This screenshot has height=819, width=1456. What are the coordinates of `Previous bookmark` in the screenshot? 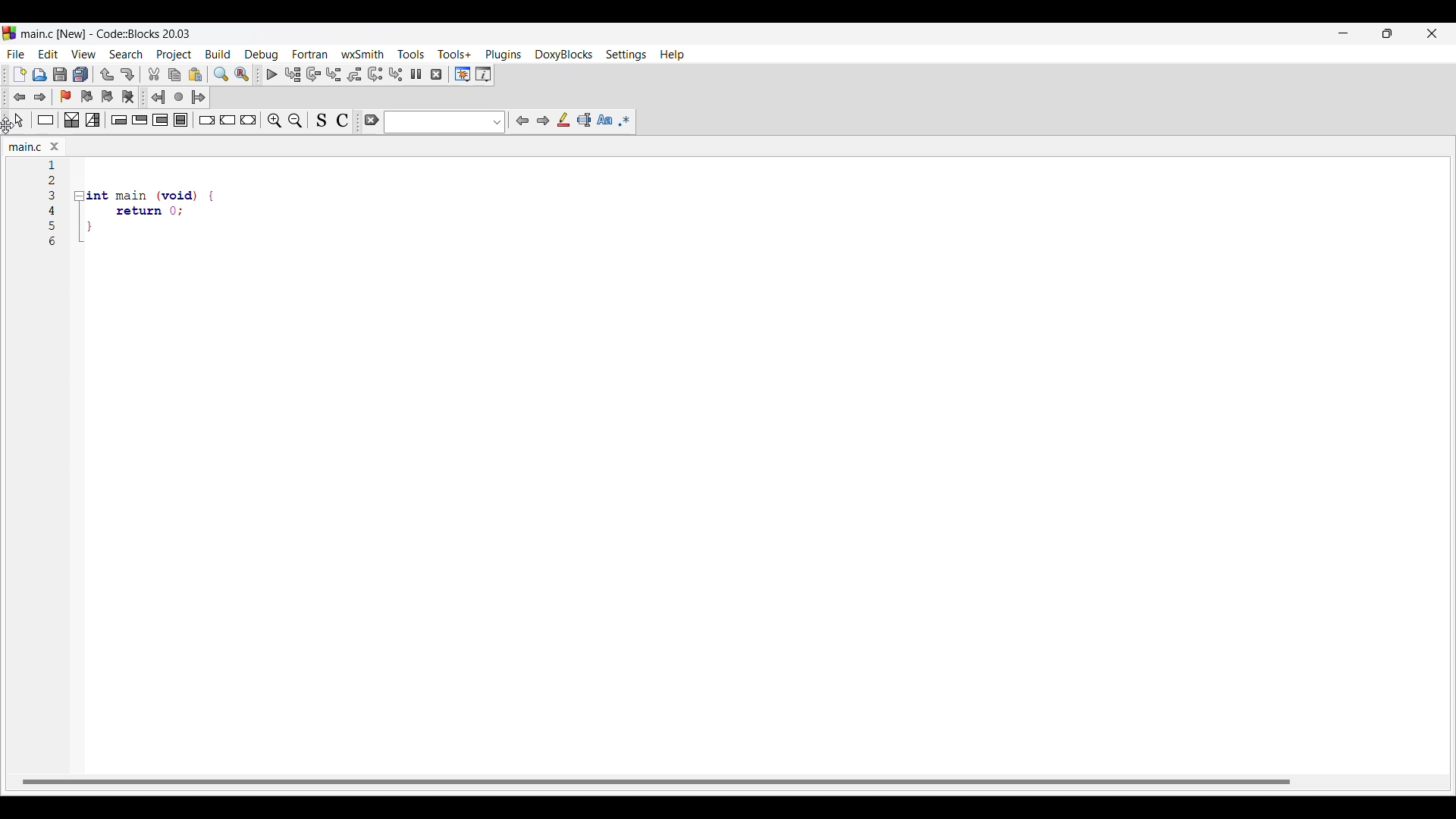 It's located at (87, 96).